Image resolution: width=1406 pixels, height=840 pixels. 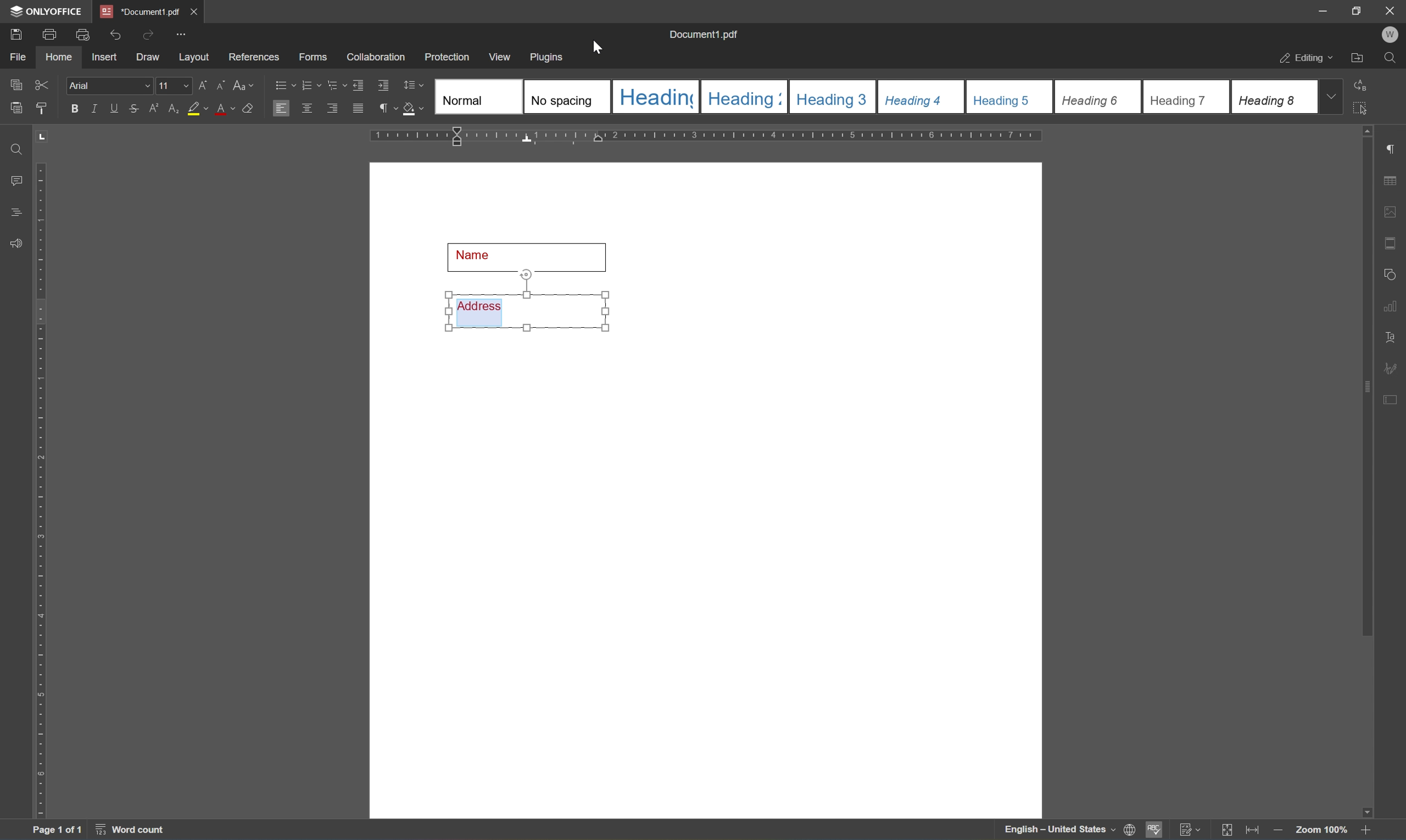 I want to click on ruler, so click(x=708, y=136).